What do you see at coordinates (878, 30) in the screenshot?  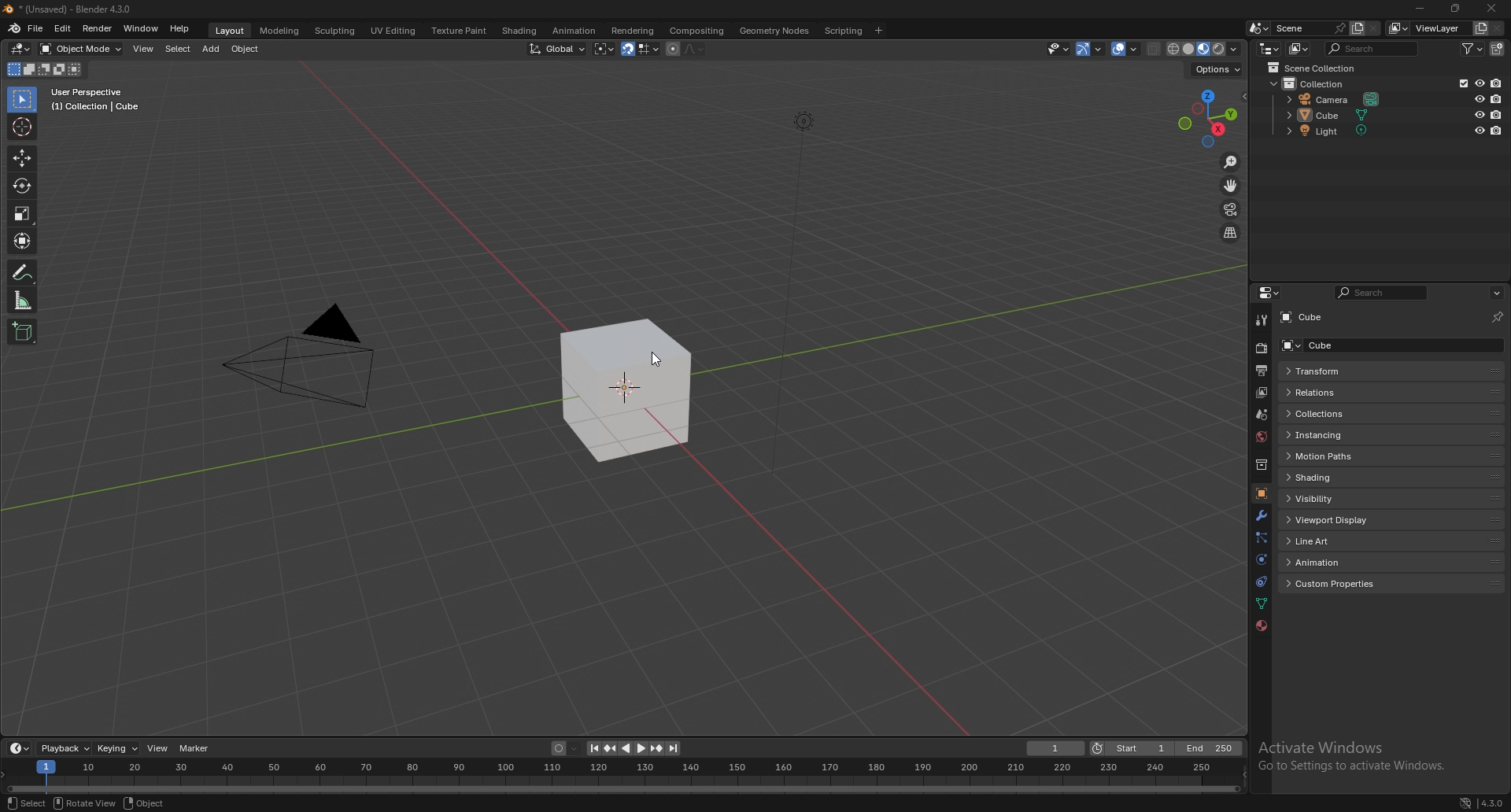 I see `add workspace` at bounding box center [878, 30].